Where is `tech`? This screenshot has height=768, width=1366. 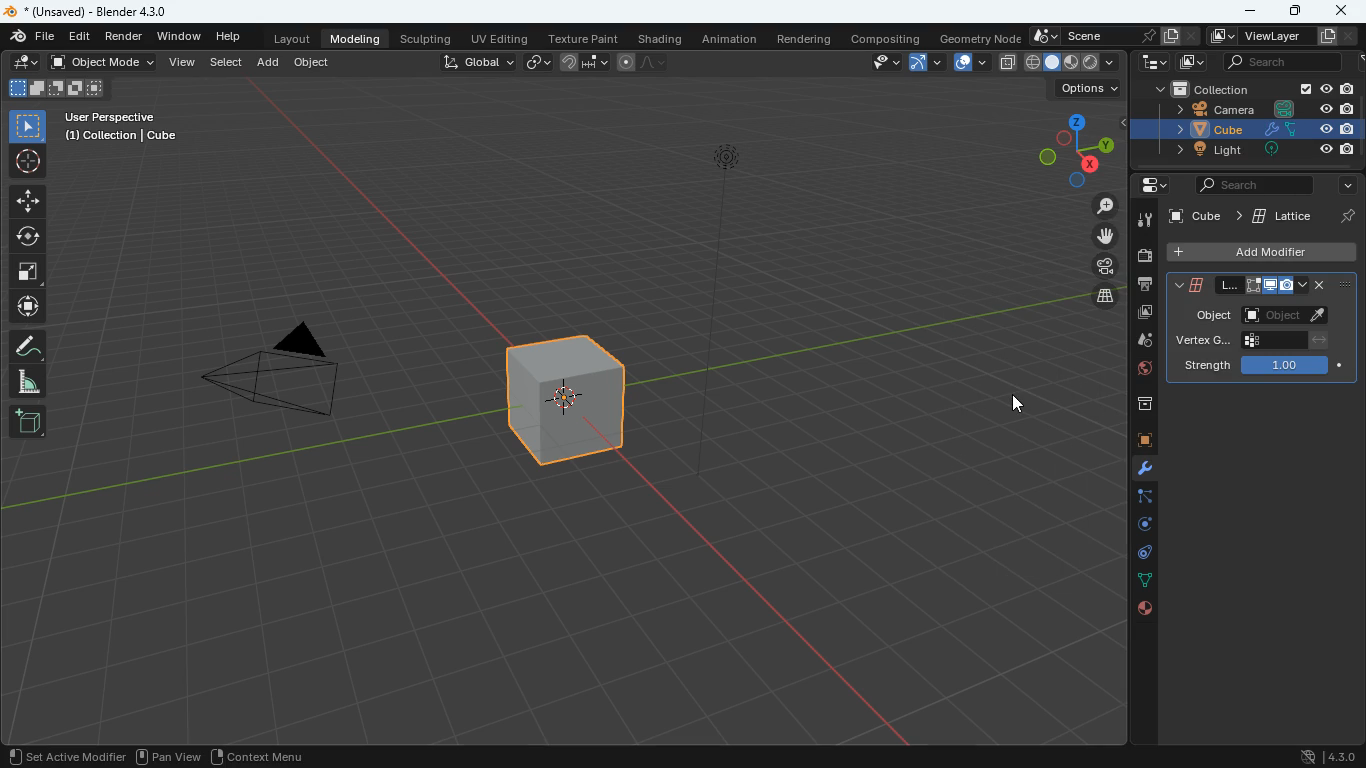
tech is located at coordinates (1155, 63).